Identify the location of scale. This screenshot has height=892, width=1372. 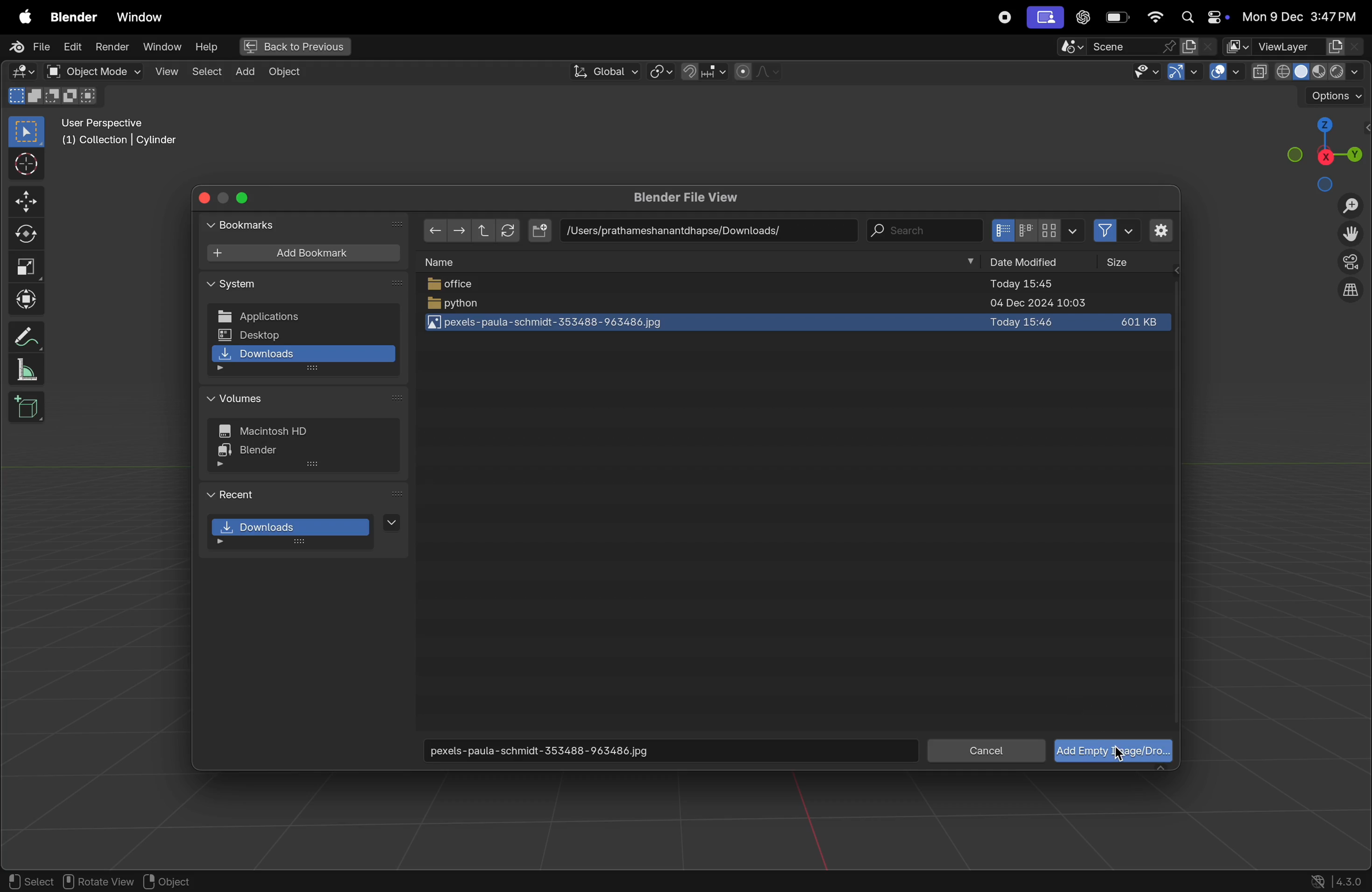
(26, 267).